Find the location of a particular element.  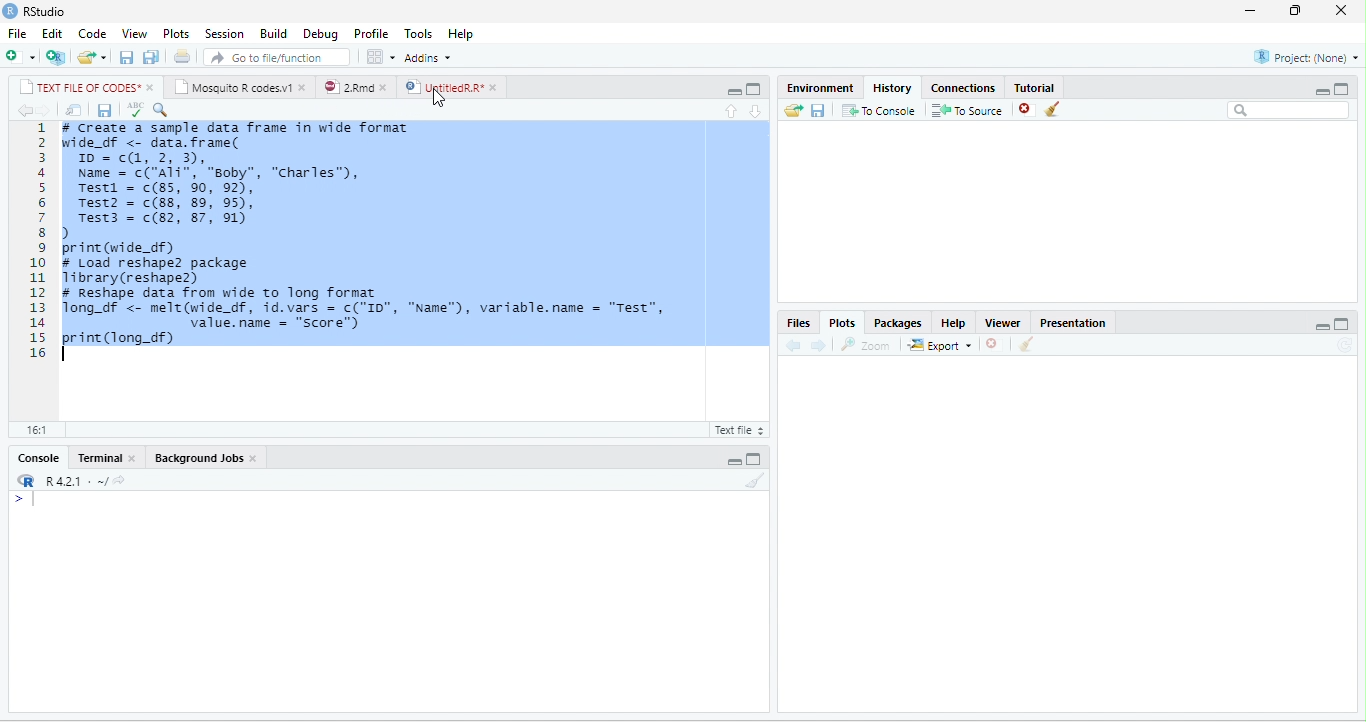

1:1 is located at coordinates (35, 430).